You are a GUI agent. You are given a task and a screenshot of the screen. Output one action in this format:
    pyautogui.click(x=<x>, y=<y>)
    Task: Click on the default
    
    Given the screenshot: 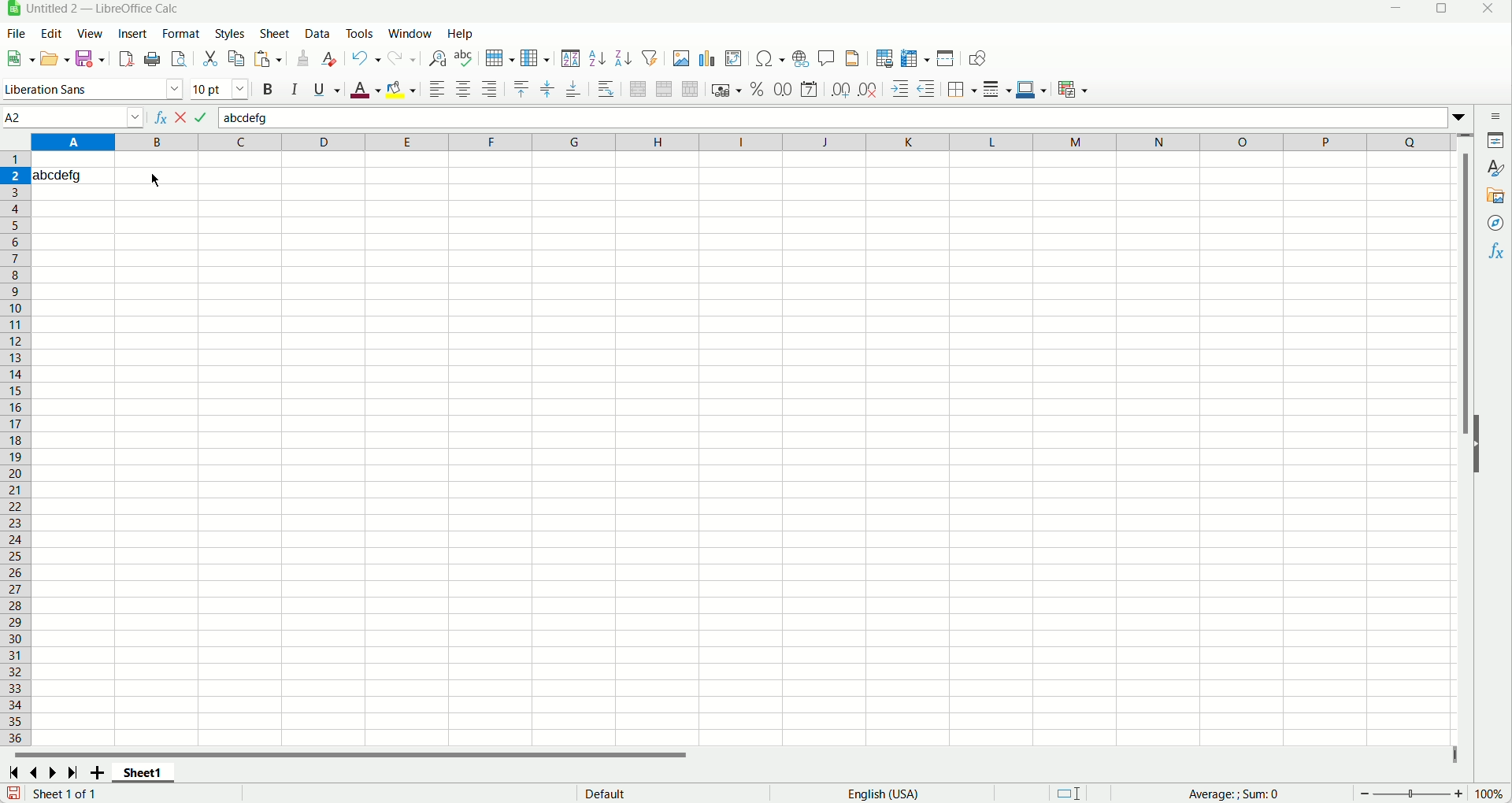 What is the action you would take?
    pyautogui.click(x=606, y=793)
    